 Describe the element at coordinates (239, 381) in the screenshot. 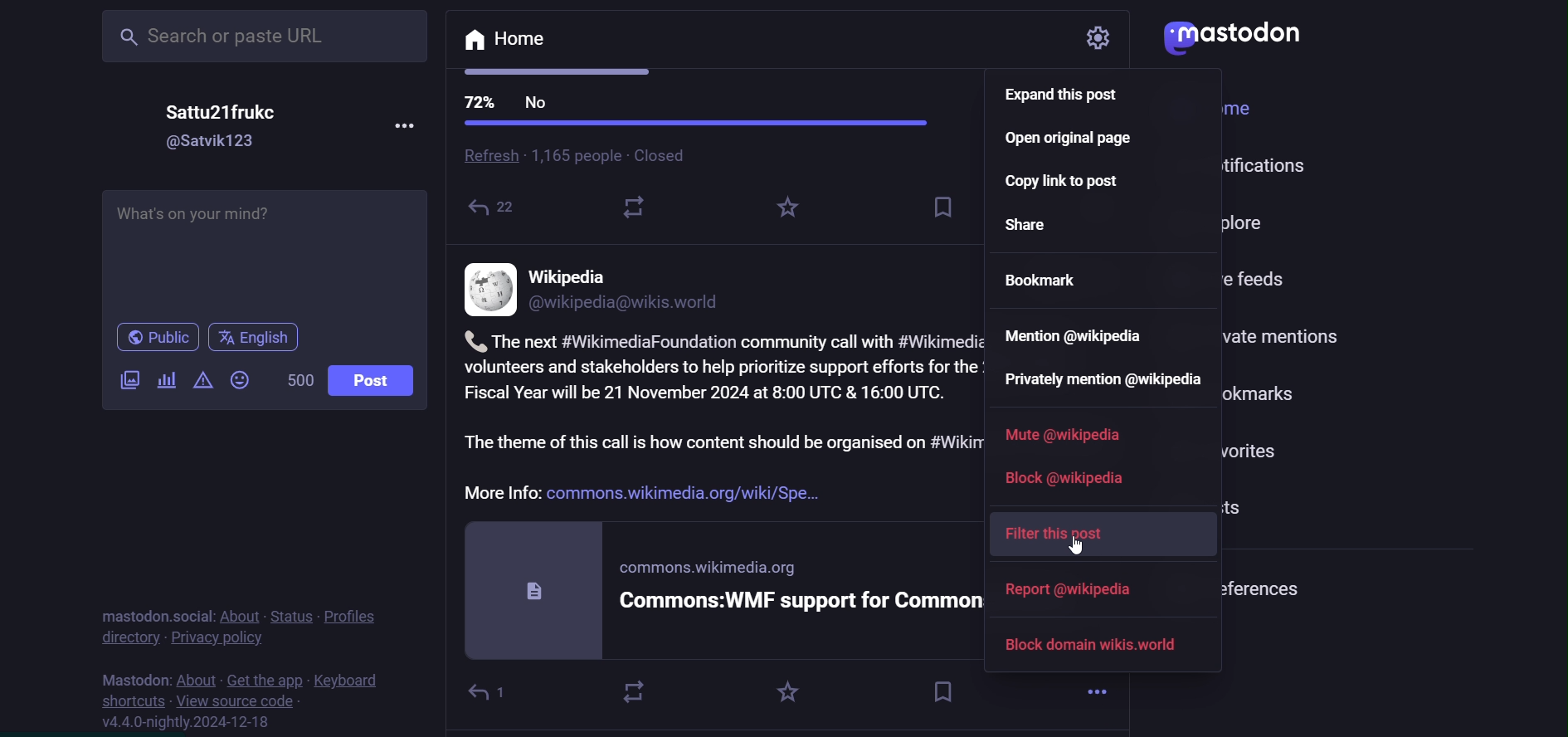

I see `emoji` at that location.